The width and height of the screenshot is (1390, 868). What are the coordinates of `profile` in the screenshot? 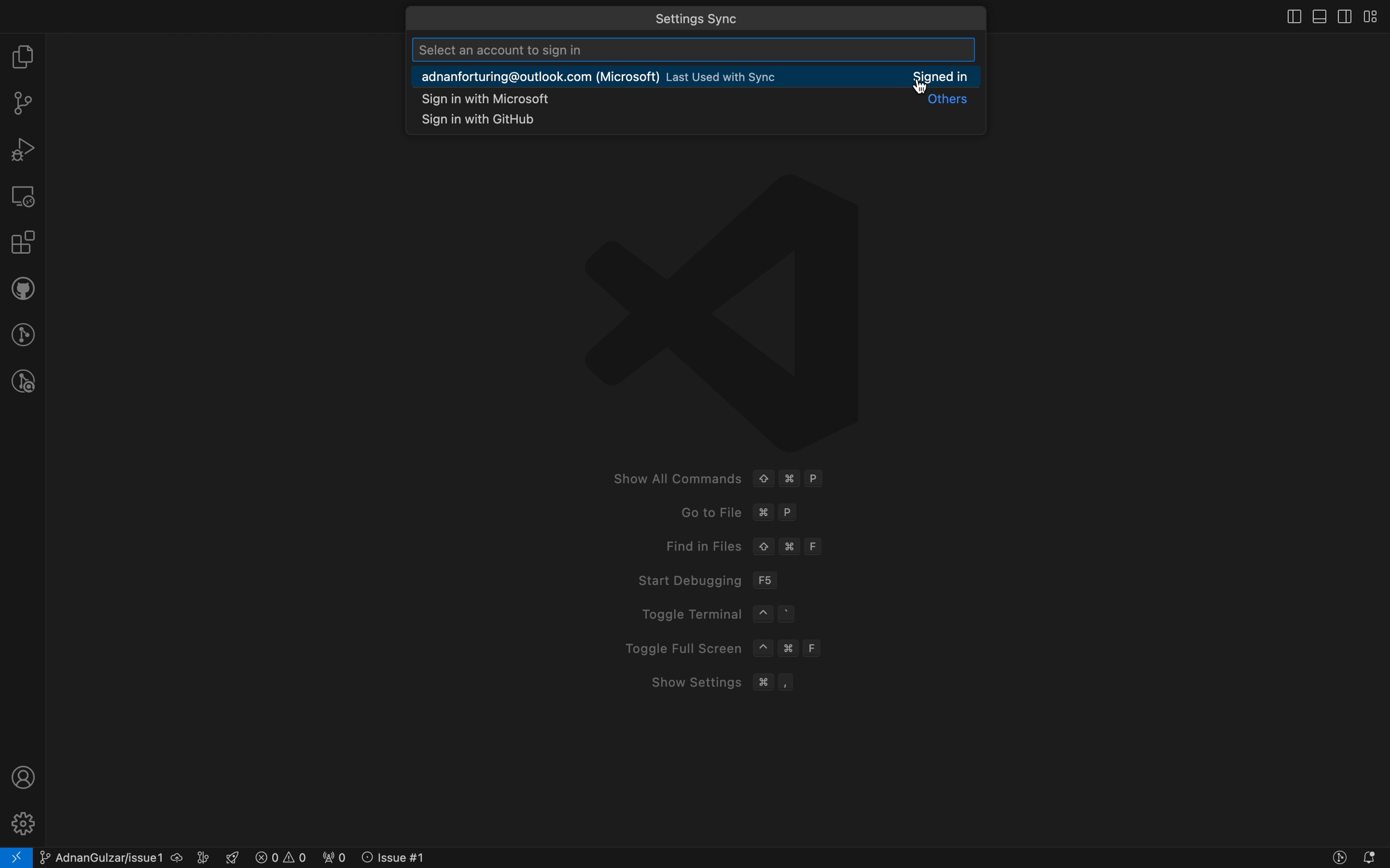 It's located at (25, 776).